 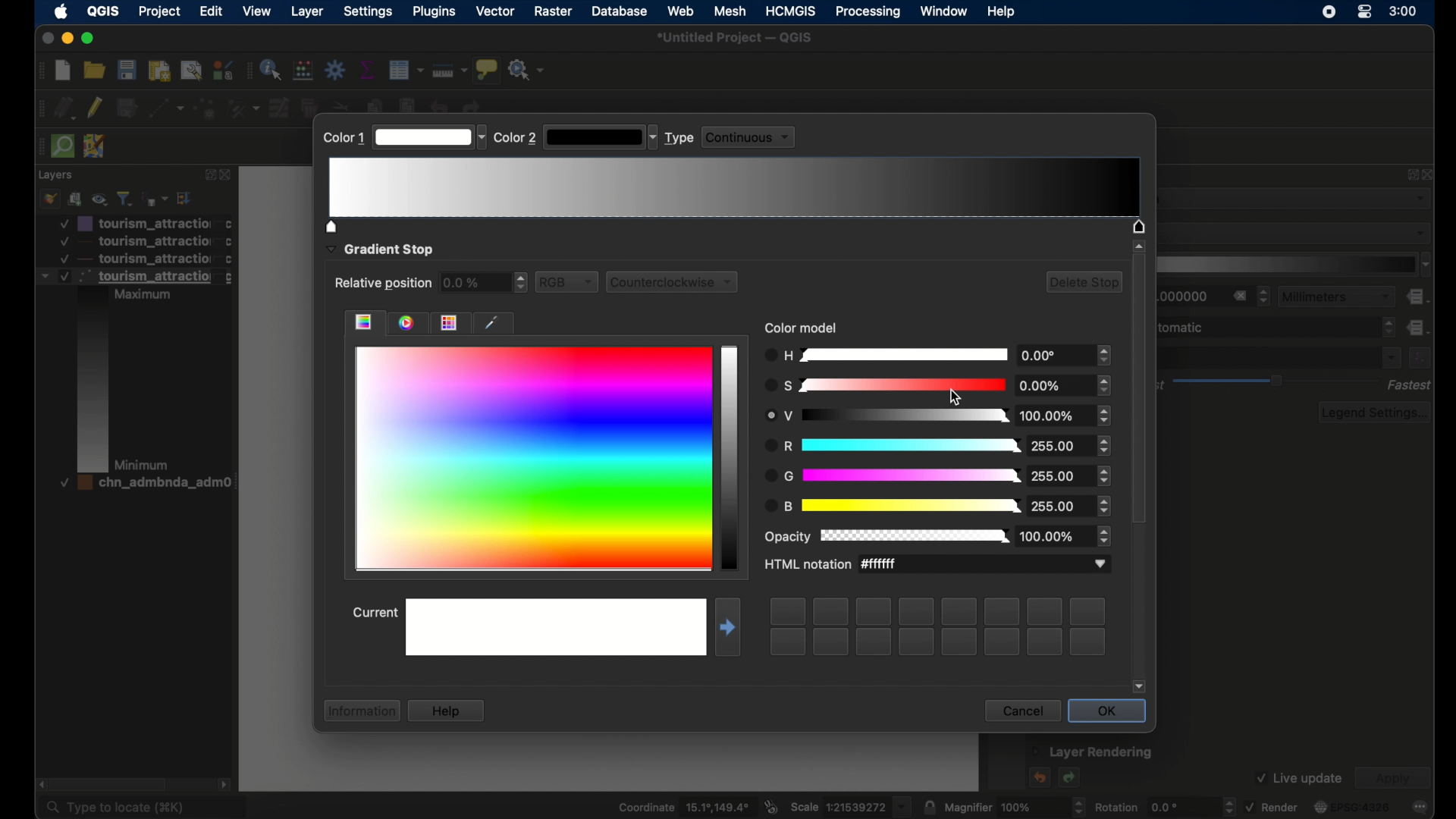 I want to click on QGIS, so click(x=102, y=11).